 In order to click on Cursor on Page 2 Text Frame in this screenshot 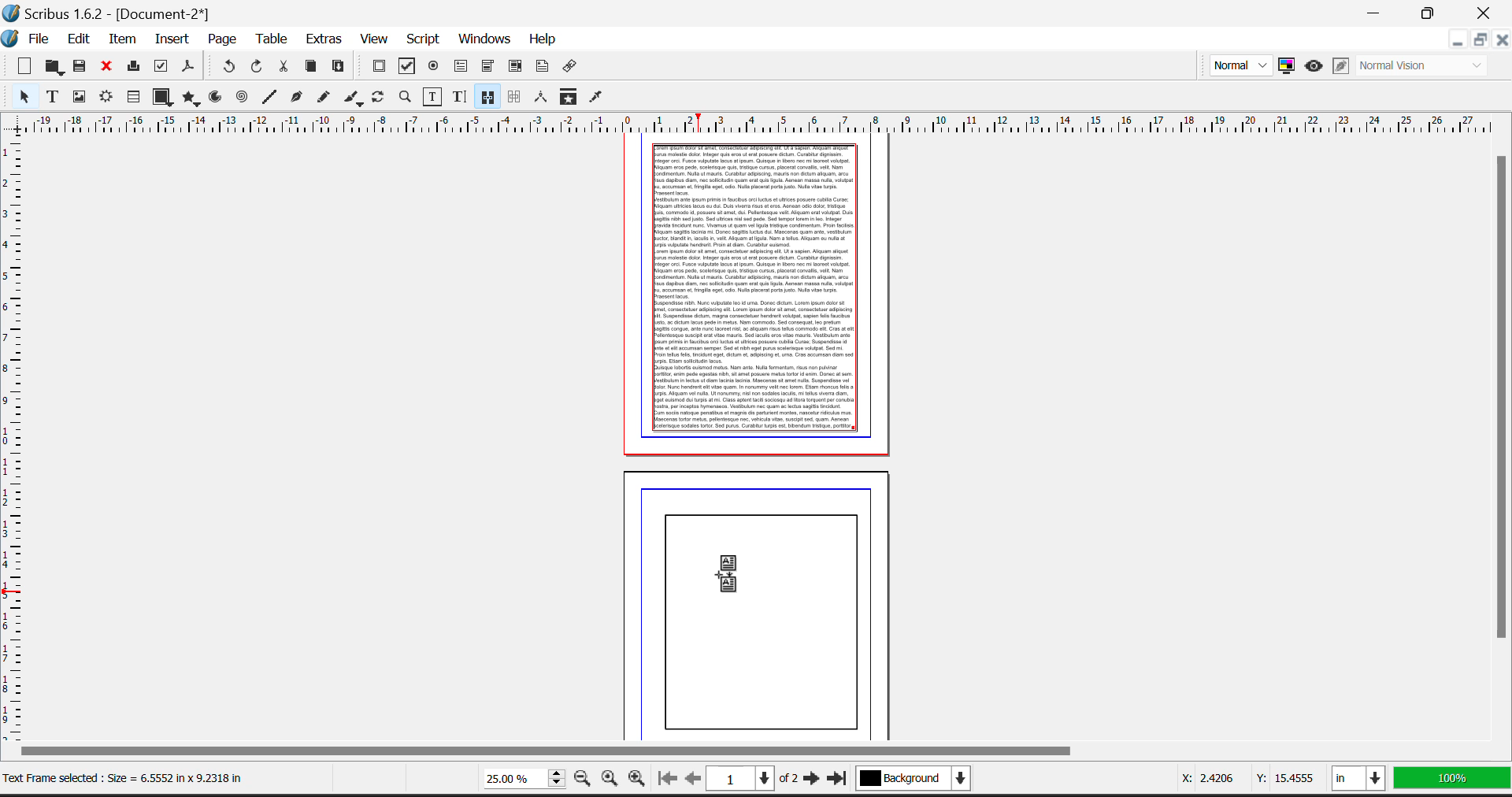, I will do `click(736, 580)`.